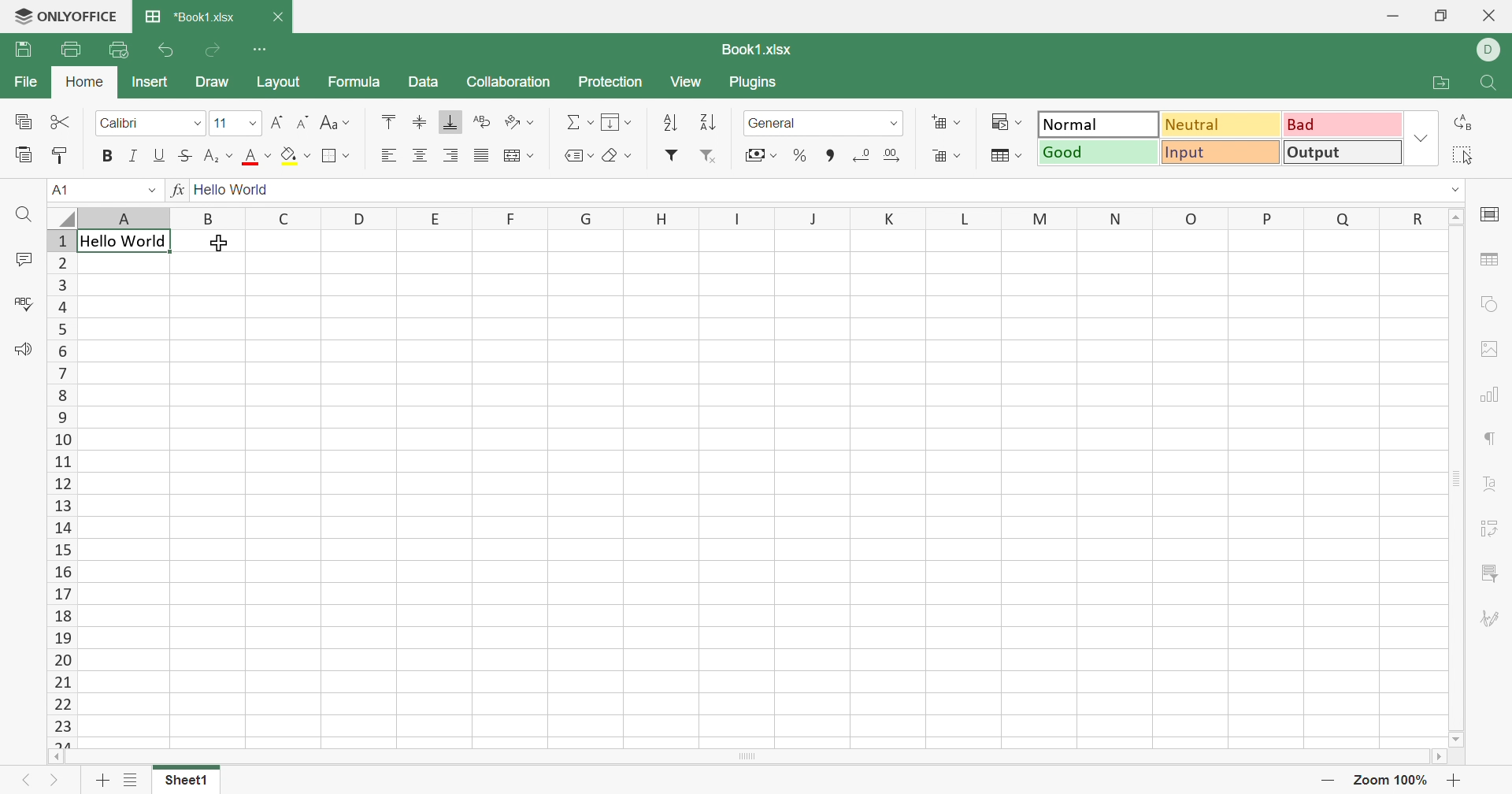 The width and height of the screenshot is (1512, 794). What do you see at coordinates (280, 82) in the screenshot?
I see `Layout` at bounding box center [280, 82].